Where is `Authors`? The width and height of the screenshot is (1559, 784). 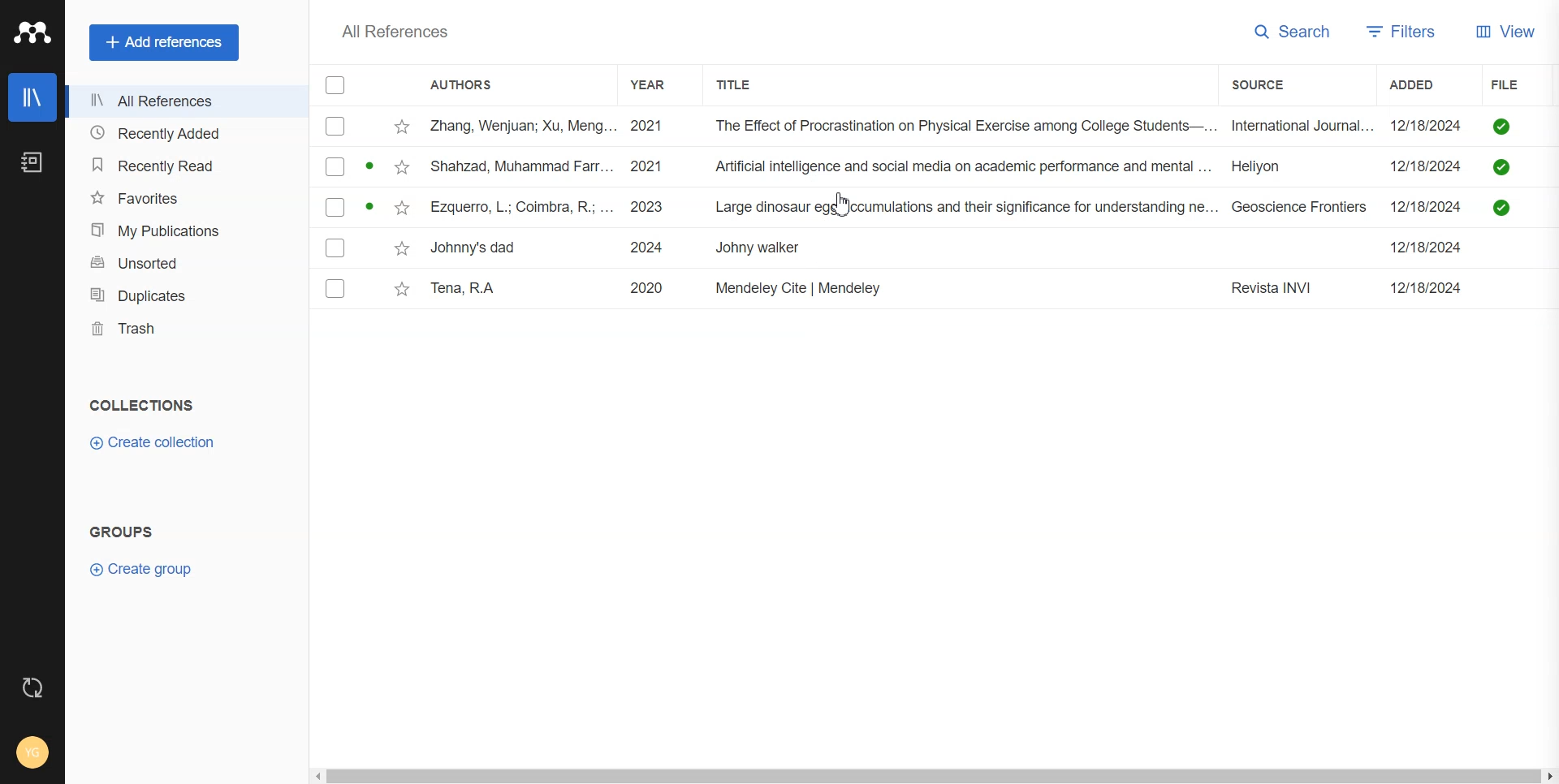 Authors is located at coordinates (469, 84).